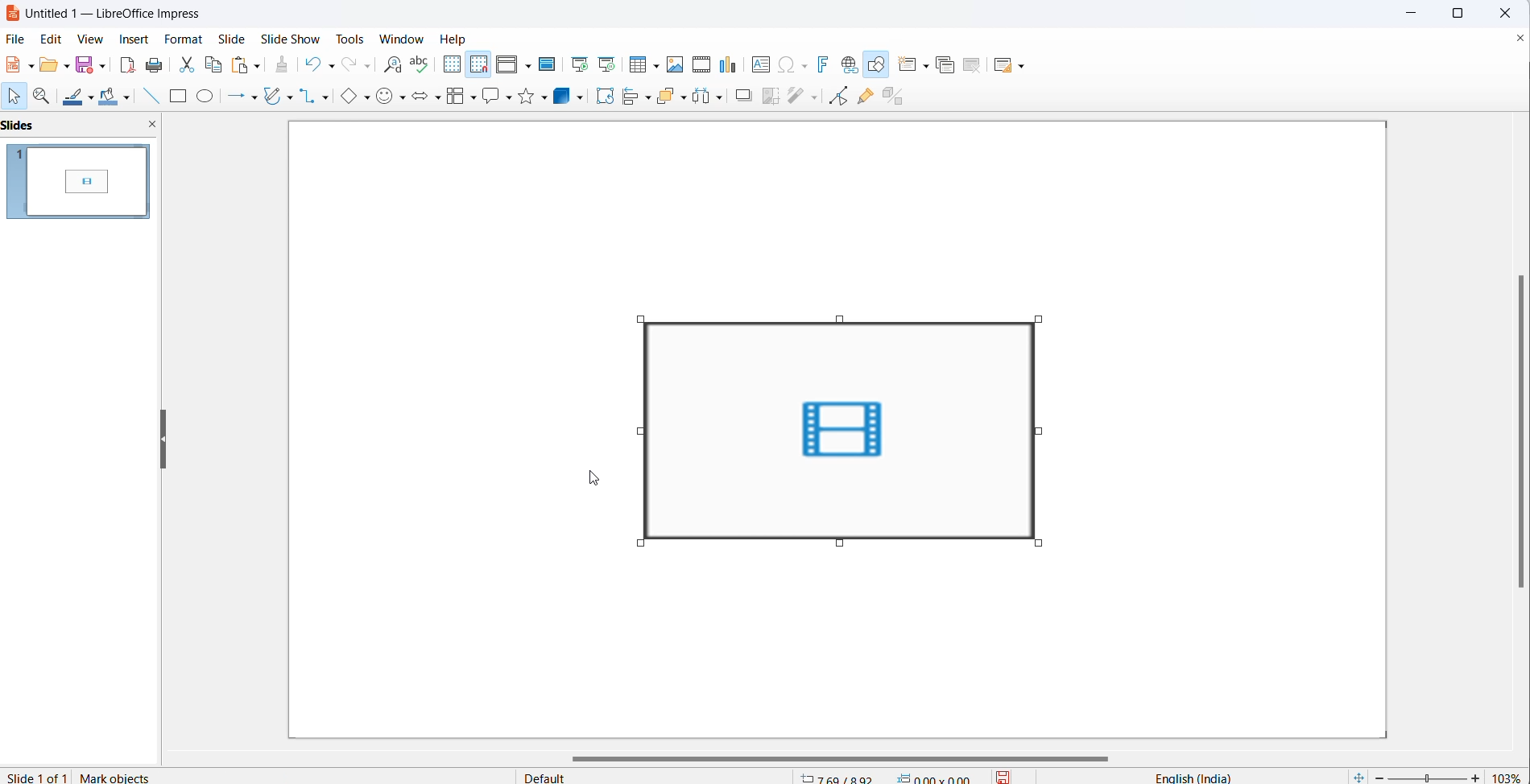 Image resolution: width=1530 pixels, height=784 pixels. I want to click on lines and arrows options, so click(257, 97).